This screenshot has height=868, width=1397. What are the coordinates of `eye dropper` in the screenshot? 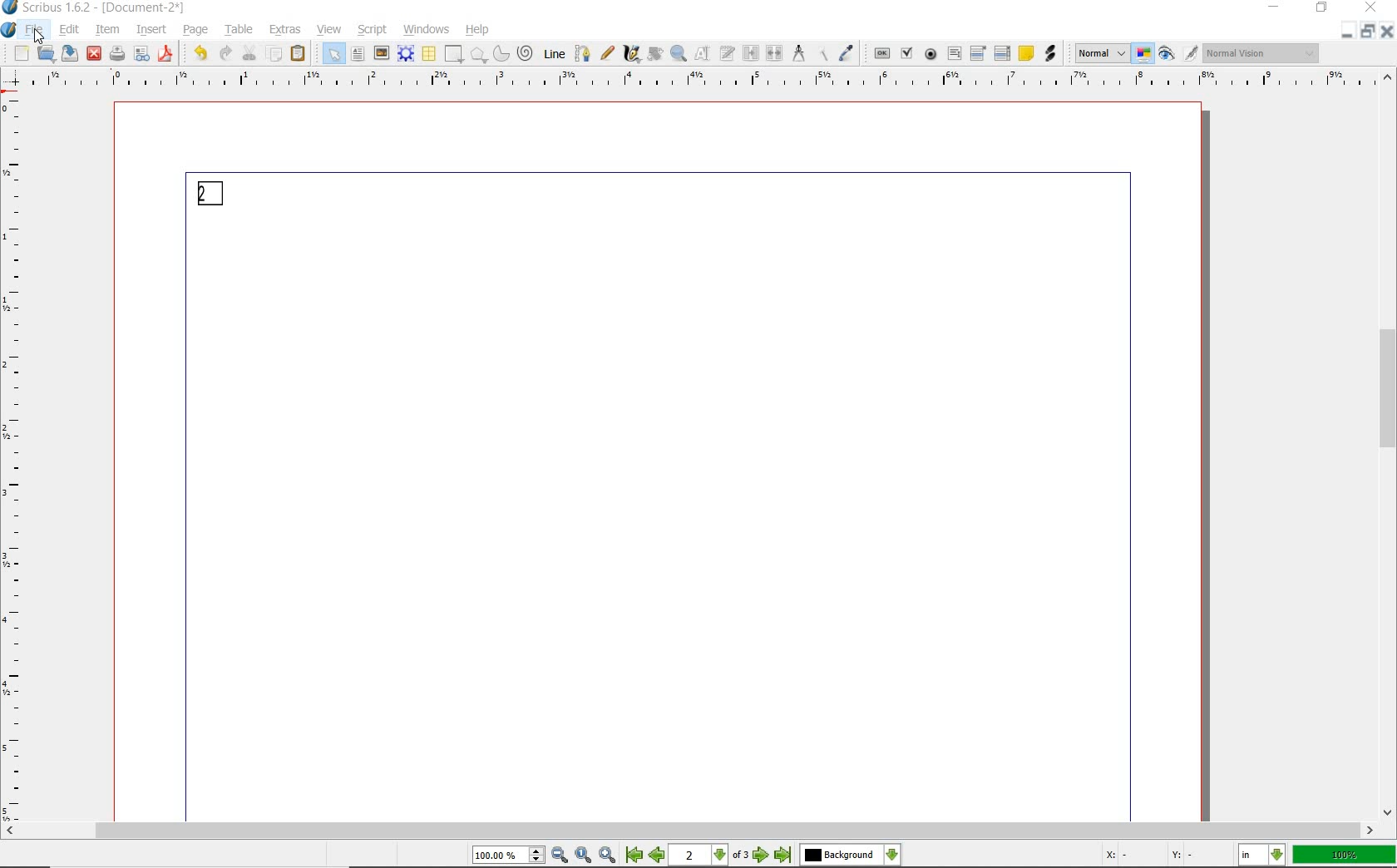 It's located at (848, 52).